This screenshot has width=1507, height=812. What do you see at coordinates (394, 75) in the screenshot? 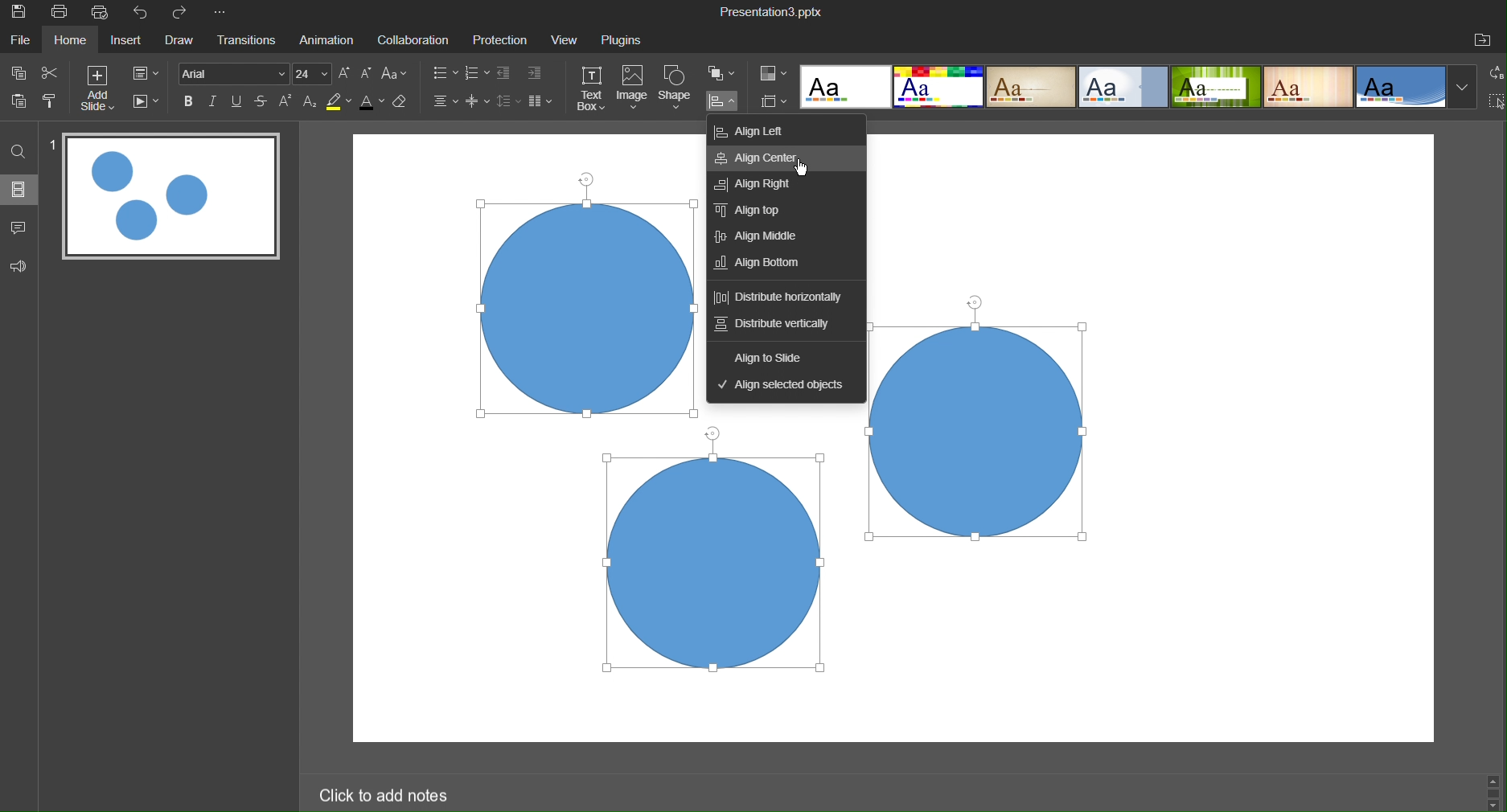
I see `Character Case Settings` at bounding box center [394, 75].